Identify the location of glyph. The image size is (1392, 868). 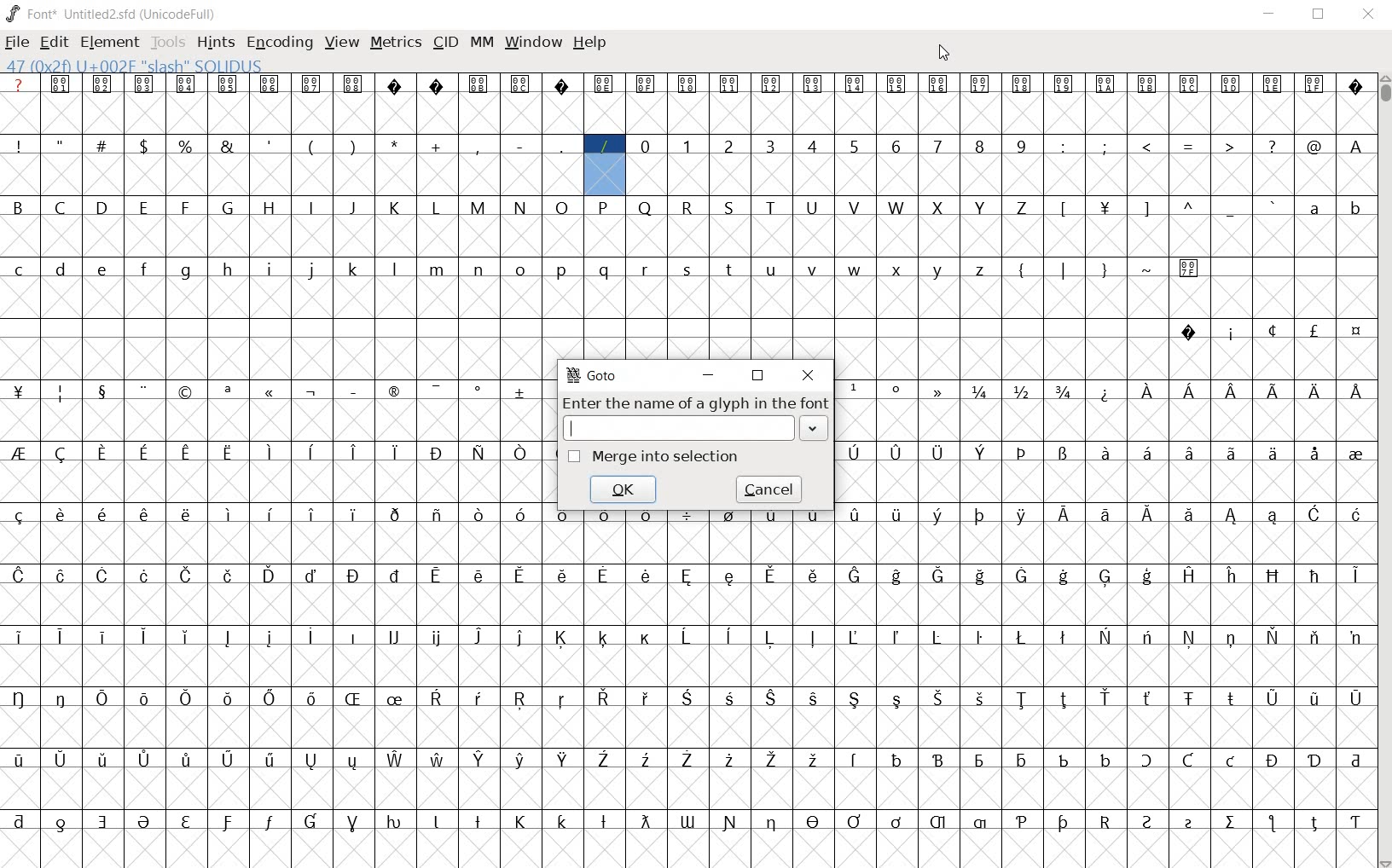
(898, 271).